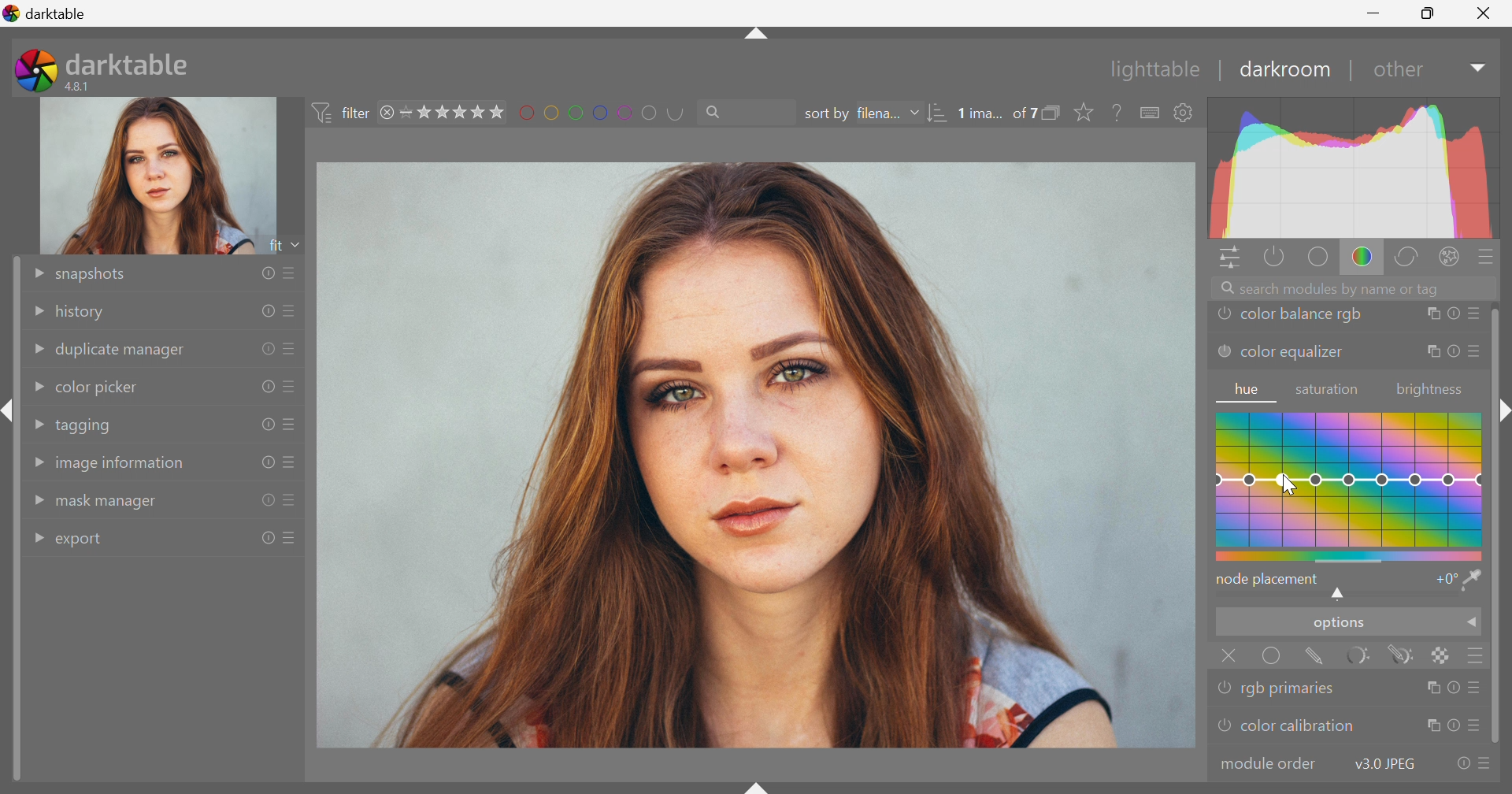 The image size is (1512, 794). Describe the element at coordinates (59, 13) in the screenshot. I see `darktable` at that location.